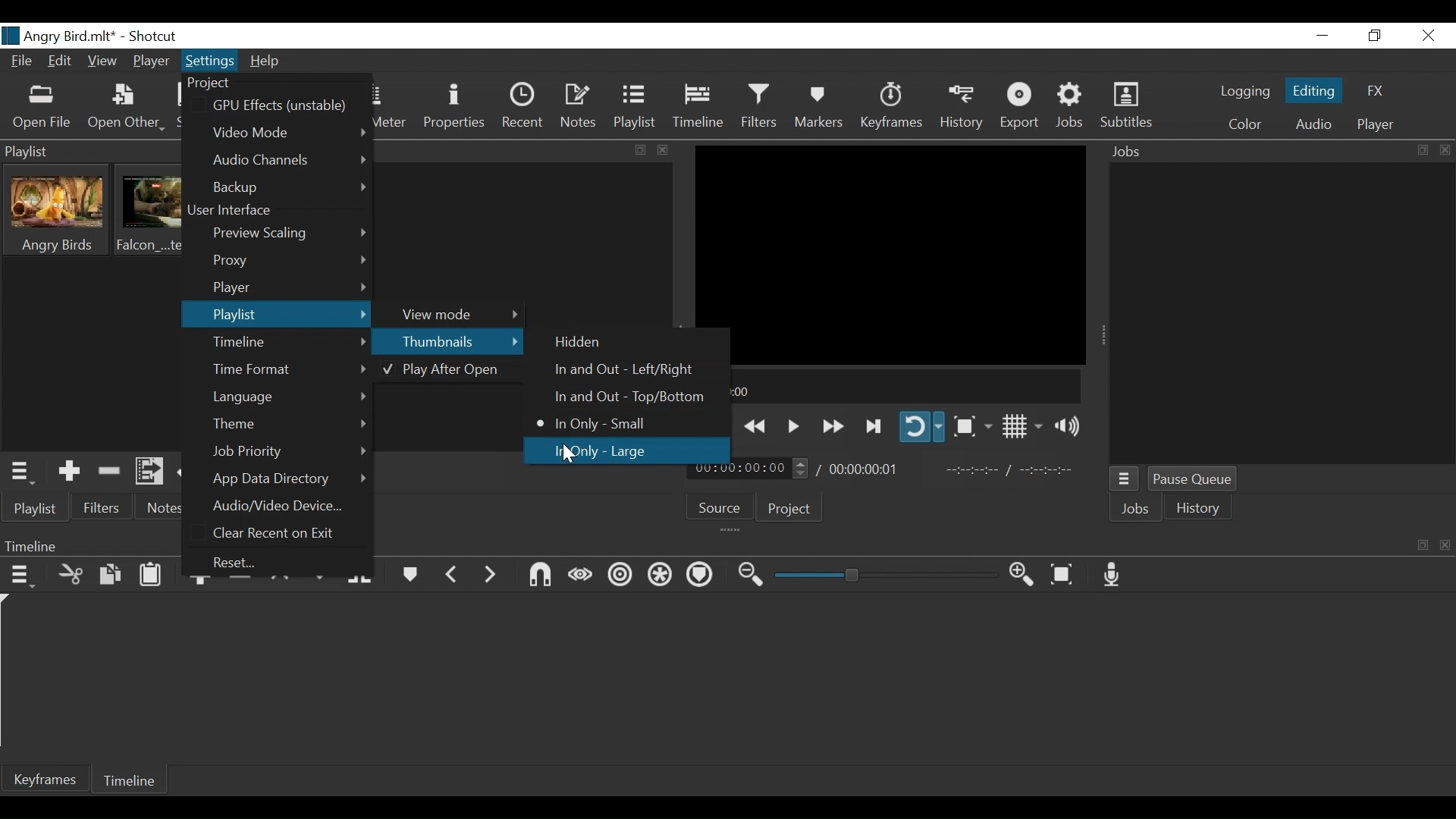 The width and height of the screenshot is (1456, 819). I want to click on maximize, so click(1422, 543).